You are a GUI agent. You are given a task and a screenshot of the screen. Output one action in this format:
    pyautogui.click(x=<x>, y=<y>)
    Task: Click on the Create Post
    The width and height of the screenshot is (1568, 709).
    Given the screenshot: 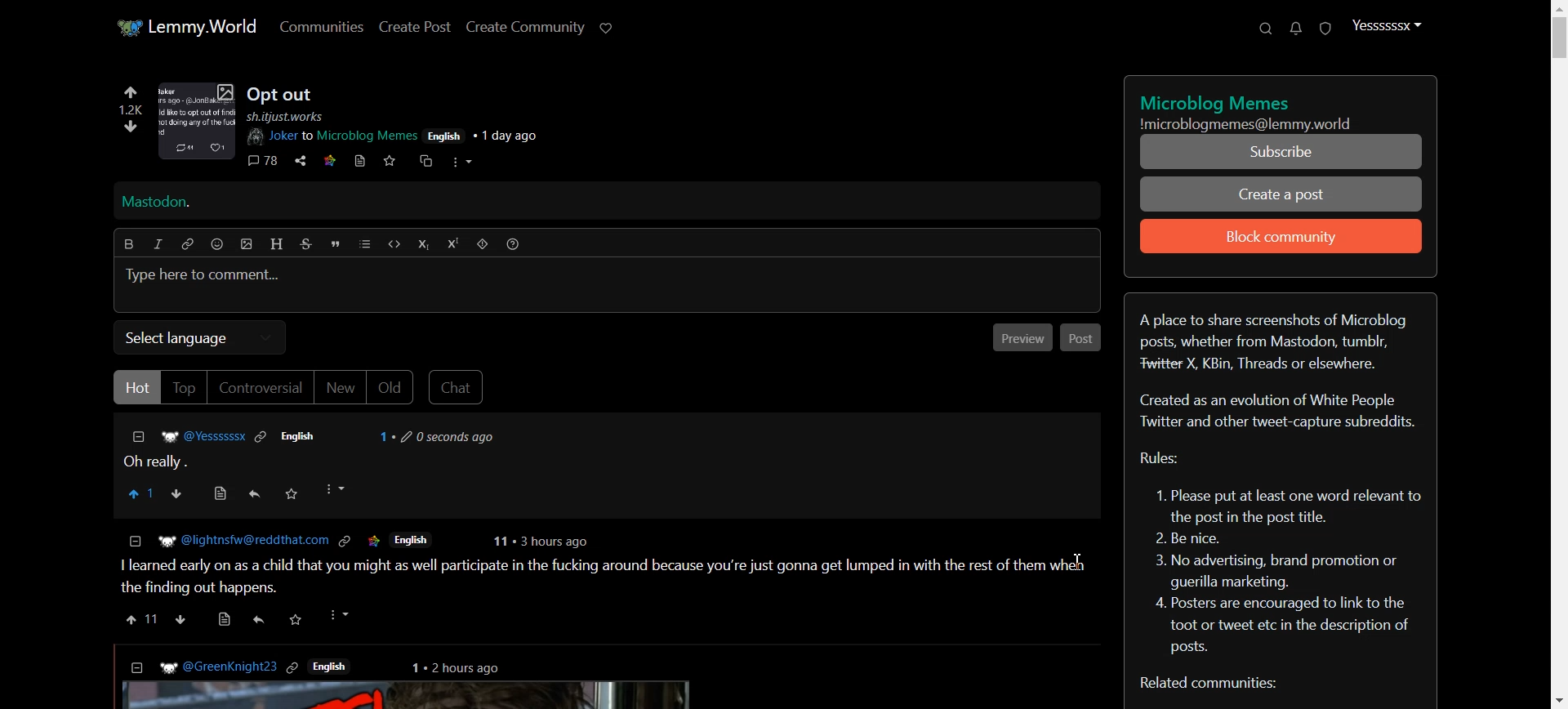 What is the action you would take?
    pyautogui.click(x=415, y=26)
    